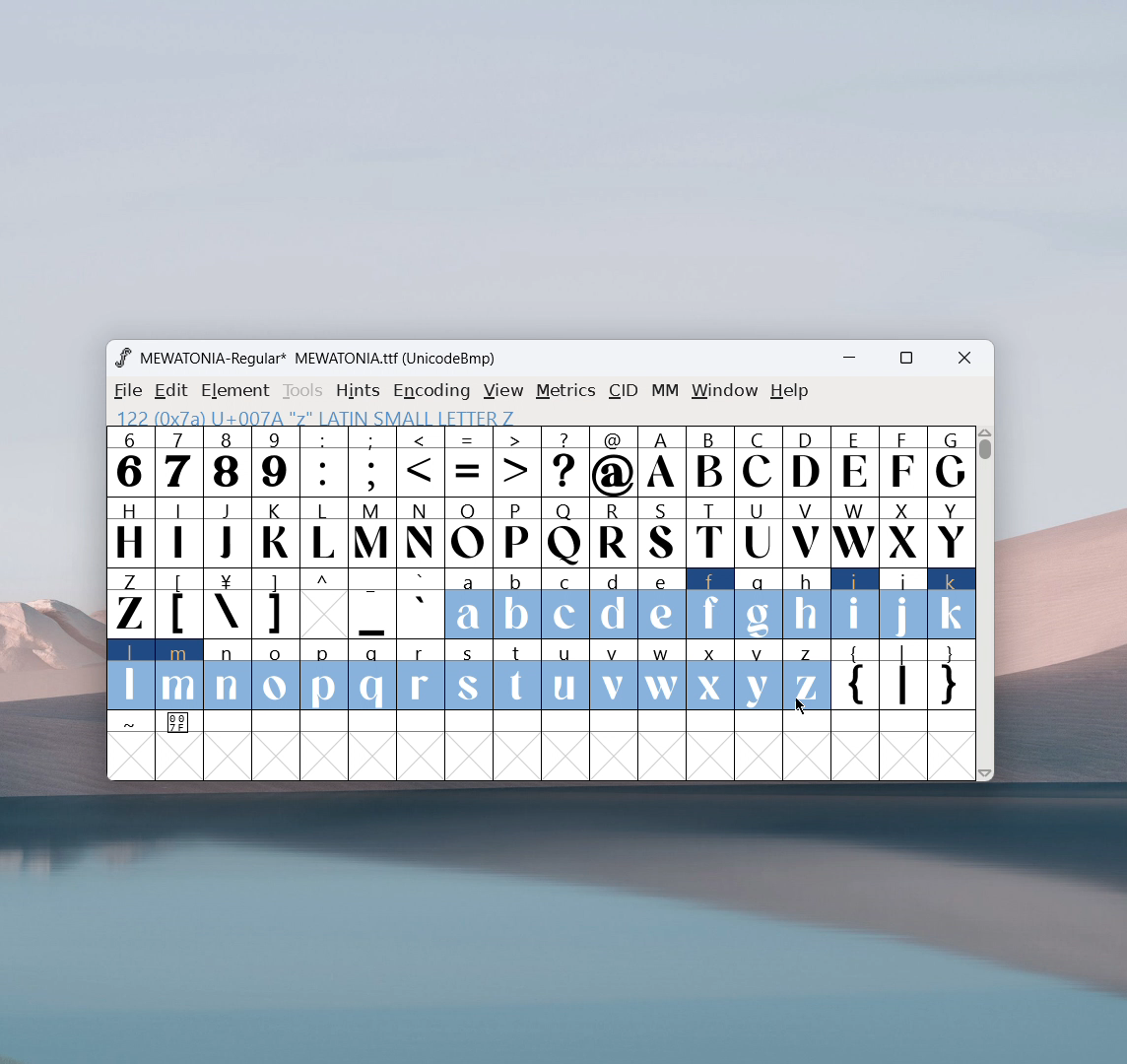 This screenshot has width=1127, height=1064. Describe the element at coordinates (372, 676) in the screenshot. I see `q` at that location.